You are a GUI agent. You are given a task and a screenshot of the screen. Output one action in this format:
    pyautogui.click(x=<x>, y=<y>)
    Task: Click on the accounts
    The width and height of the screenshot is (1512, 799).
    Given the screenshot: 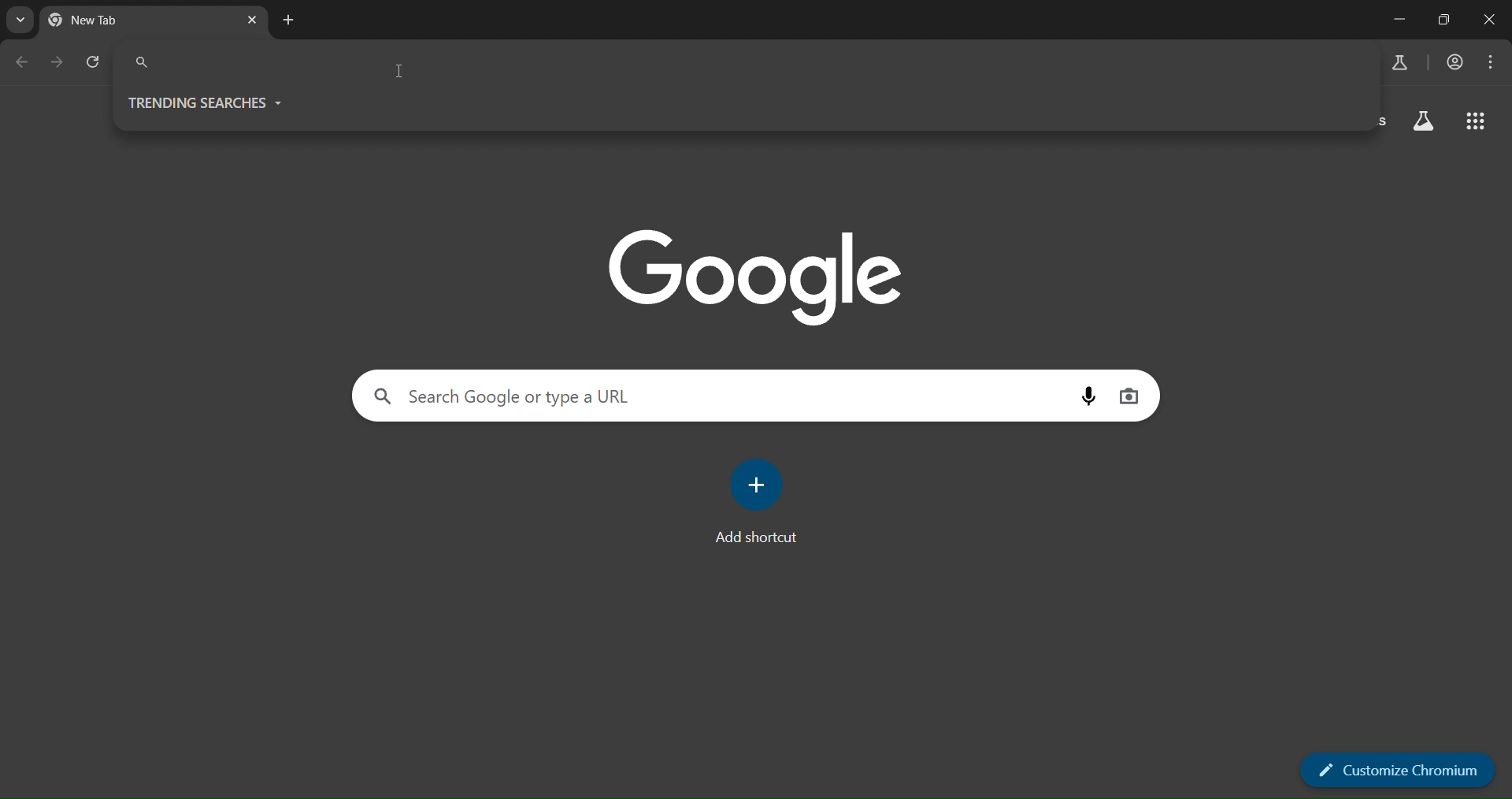 What is the action you would take?
    pyautogui.click(x=1456, y=63)
    